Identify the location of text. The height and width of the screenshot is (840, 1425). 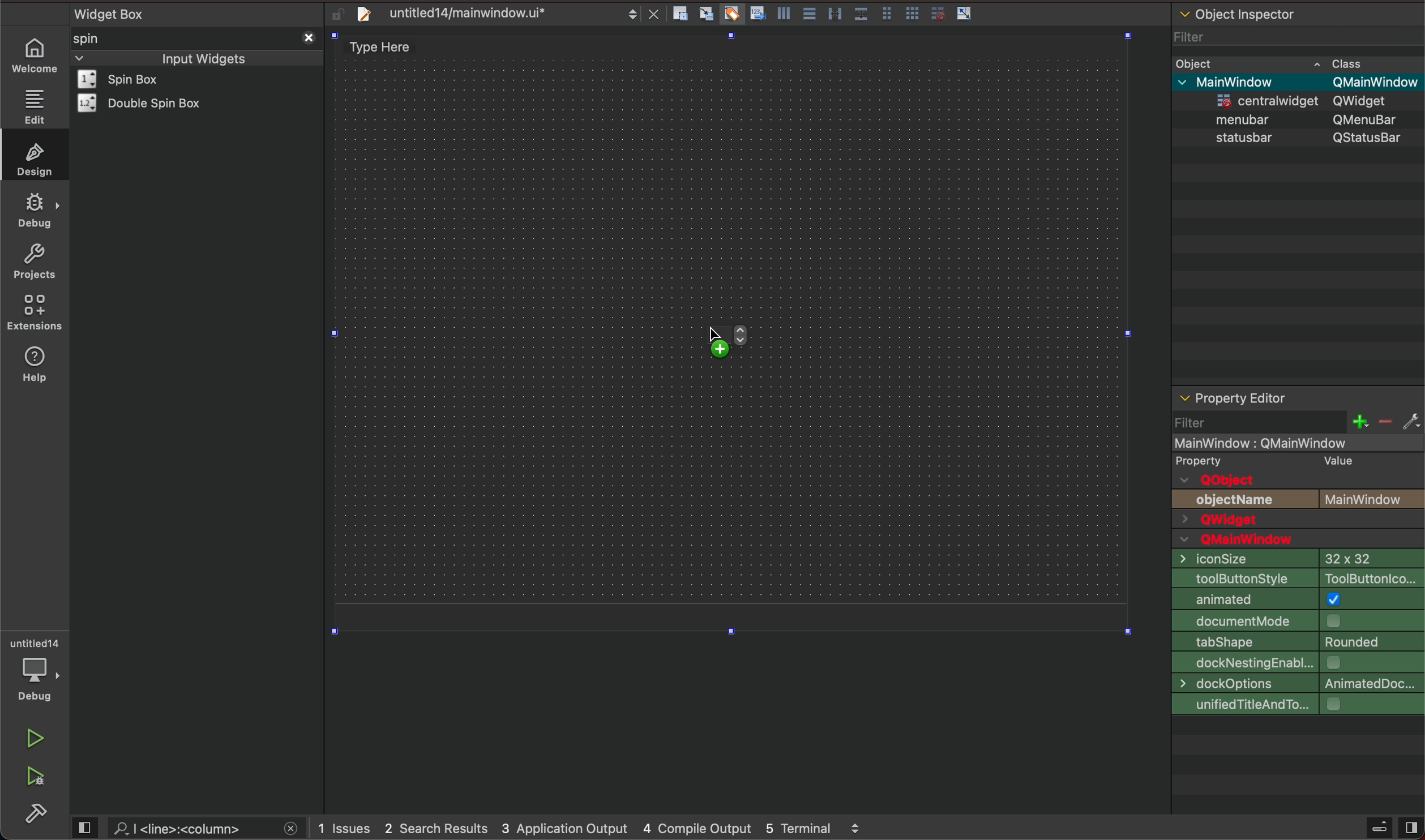
(1238, 500).